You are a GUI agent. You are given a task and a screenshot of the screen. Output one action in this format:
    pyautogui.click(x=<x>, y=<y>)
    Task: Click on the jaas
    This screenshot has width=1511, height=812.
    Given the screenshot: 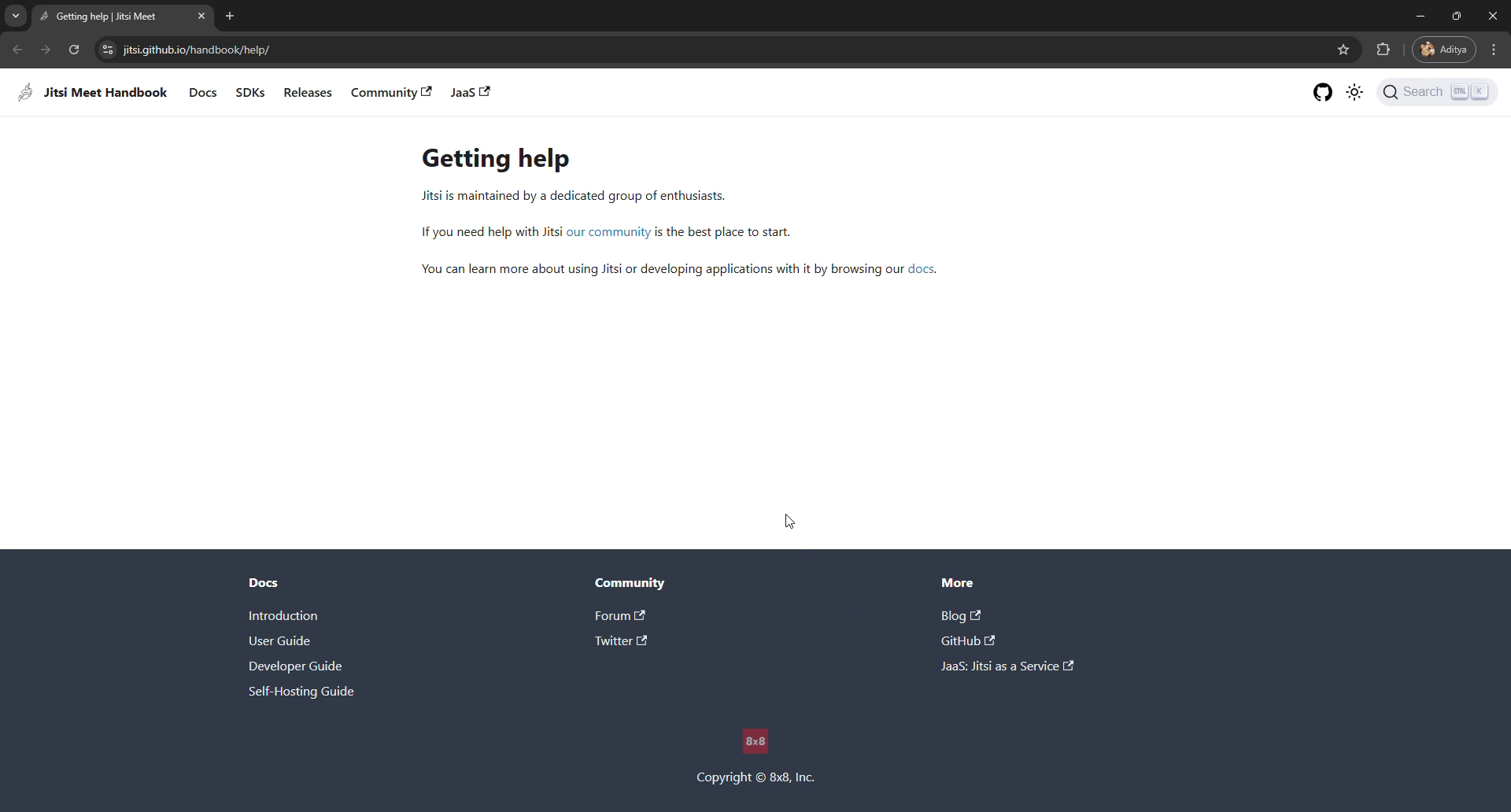 What is the action you would take?
    pyautogui.click(x=470, y=93)
    